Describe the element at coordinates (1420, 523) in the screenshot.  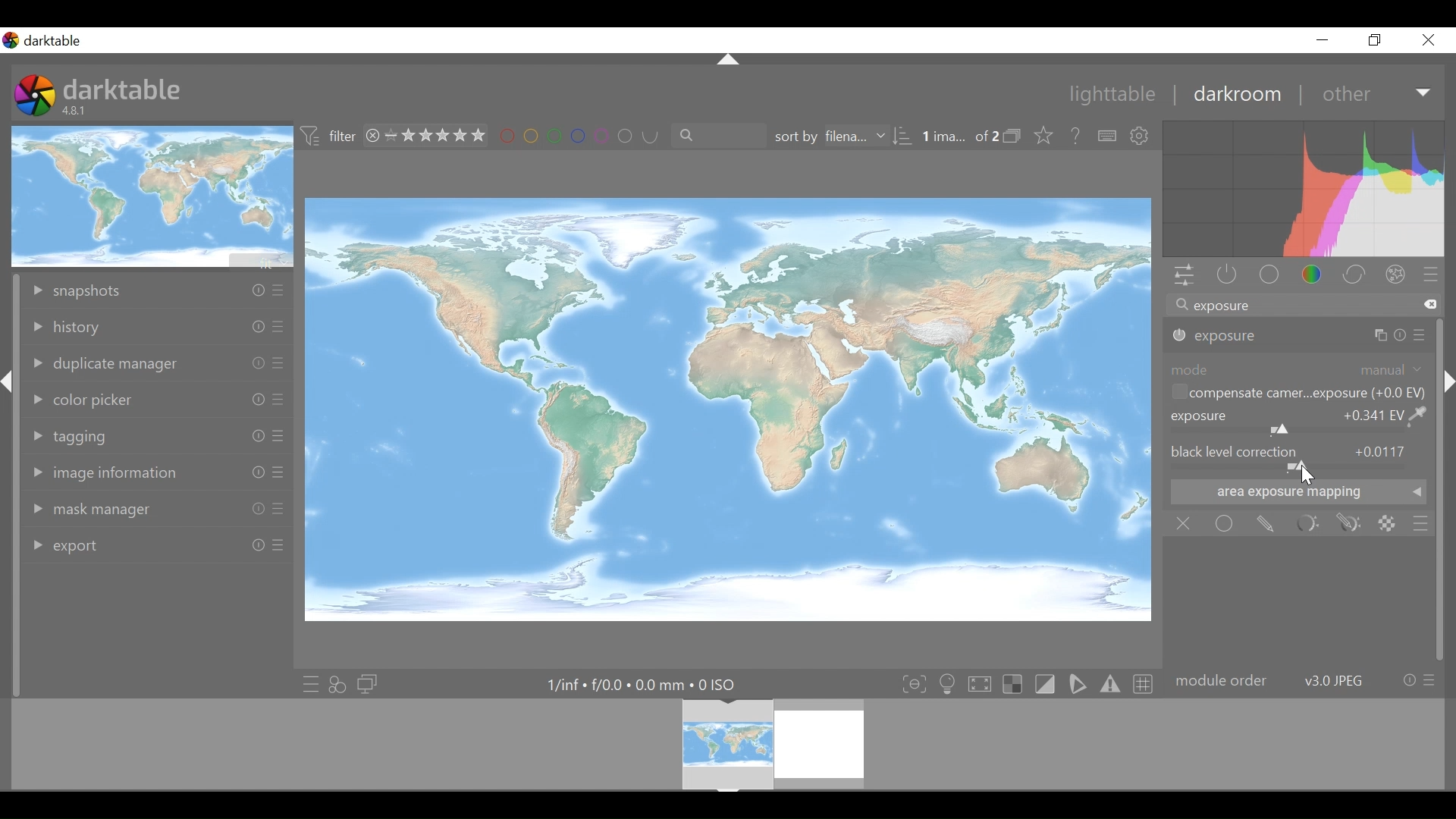
I see `blending options` at that location.